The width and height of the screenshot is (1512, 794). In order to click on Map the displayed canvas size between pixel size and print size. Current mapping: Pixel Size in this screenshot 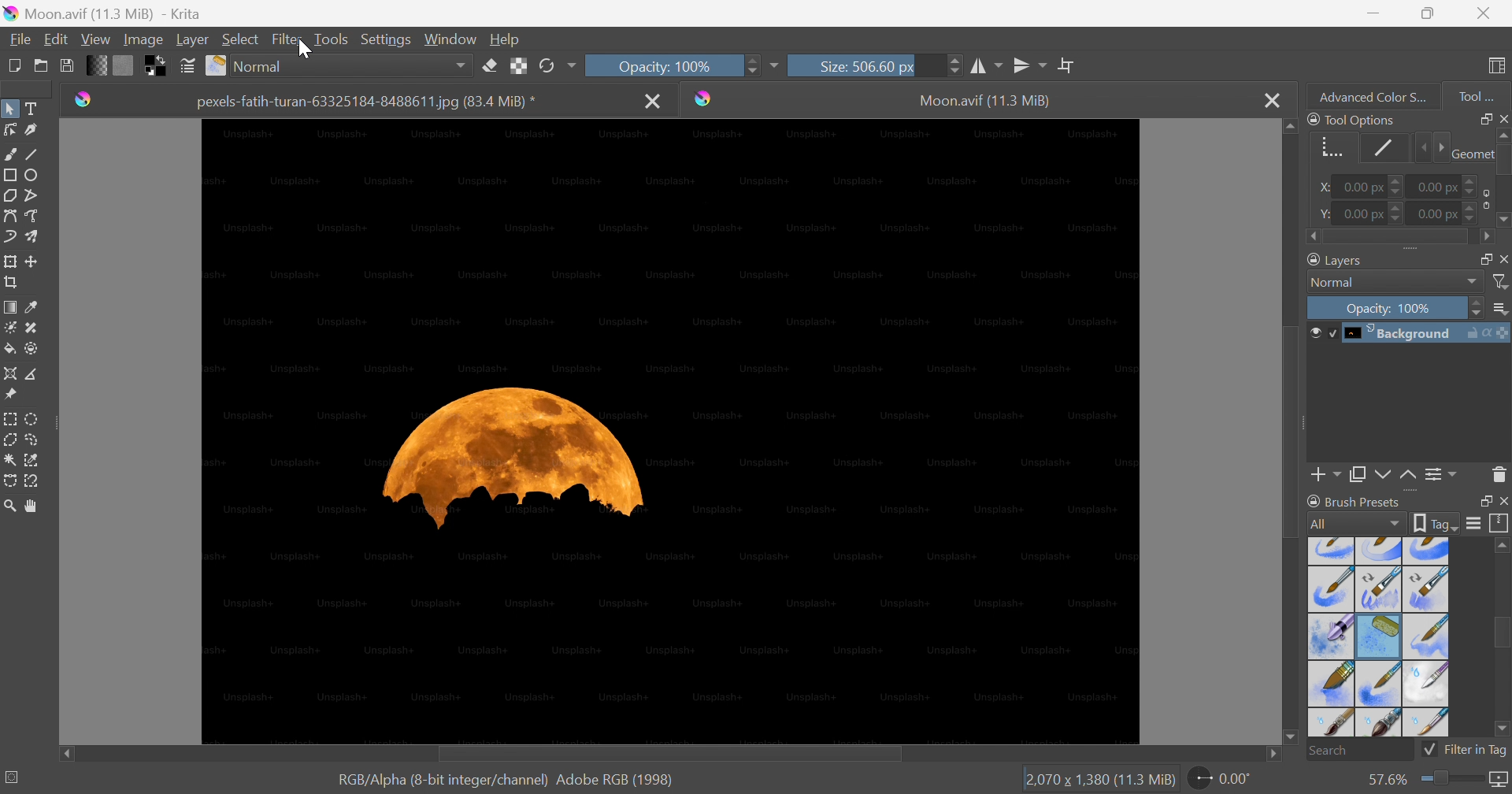, I will do `click(1502, 781)`.